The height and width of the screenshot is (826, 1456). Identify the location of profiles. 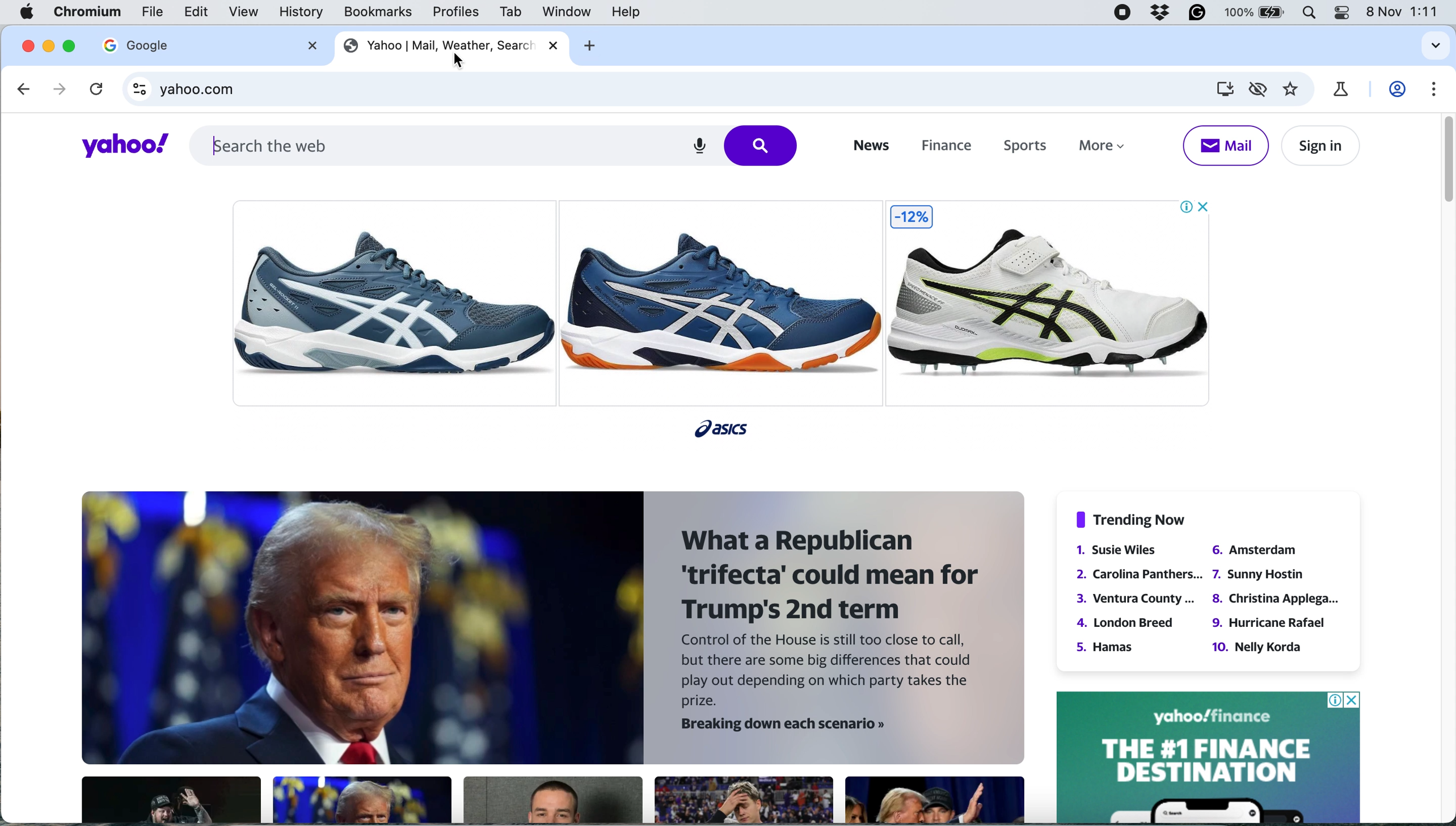
(457, 12).